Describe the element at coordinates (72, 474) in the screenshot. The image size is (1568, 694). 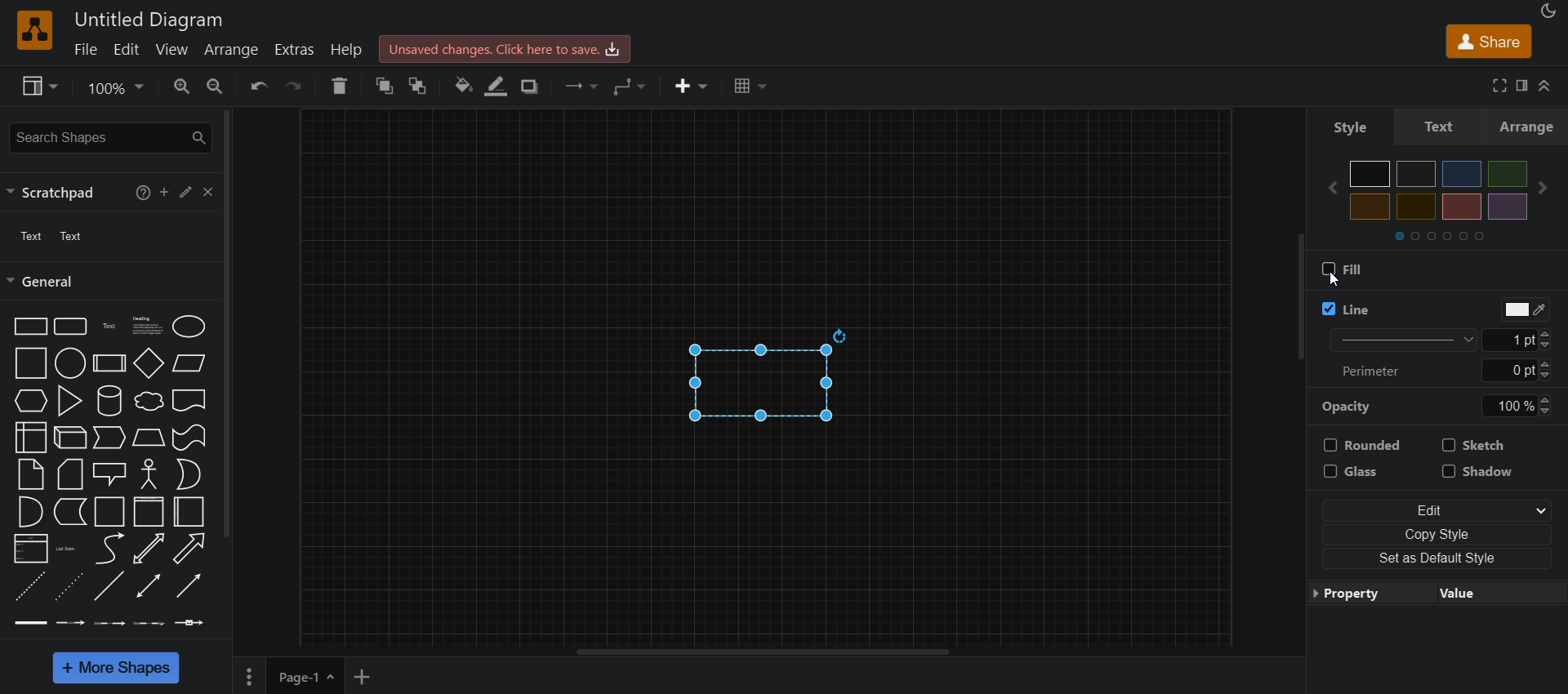
I see `card` at that location.